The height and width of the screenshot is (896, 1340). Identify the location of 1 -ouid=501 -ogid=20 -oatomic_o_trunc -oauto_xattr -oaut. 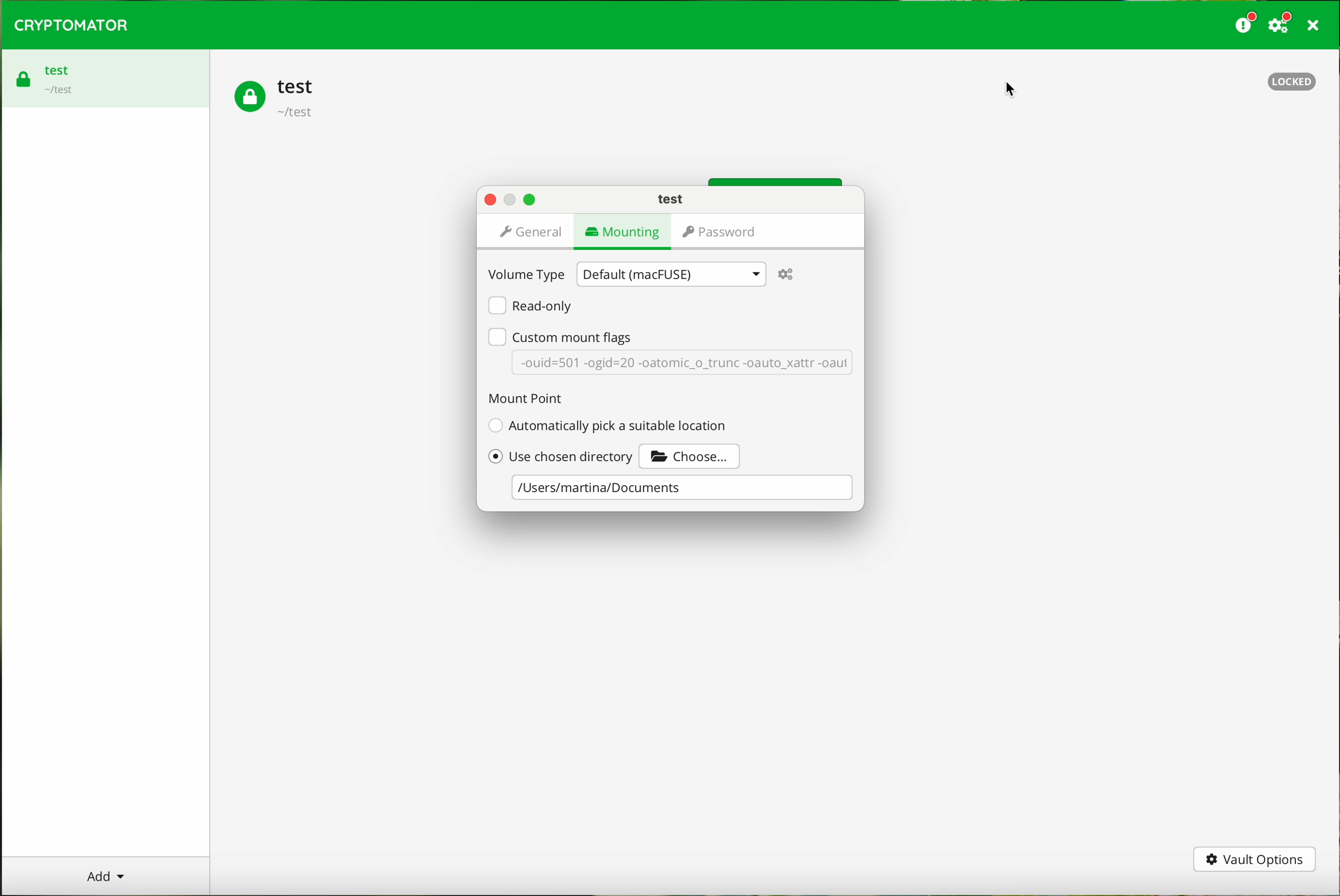
(683, 366).